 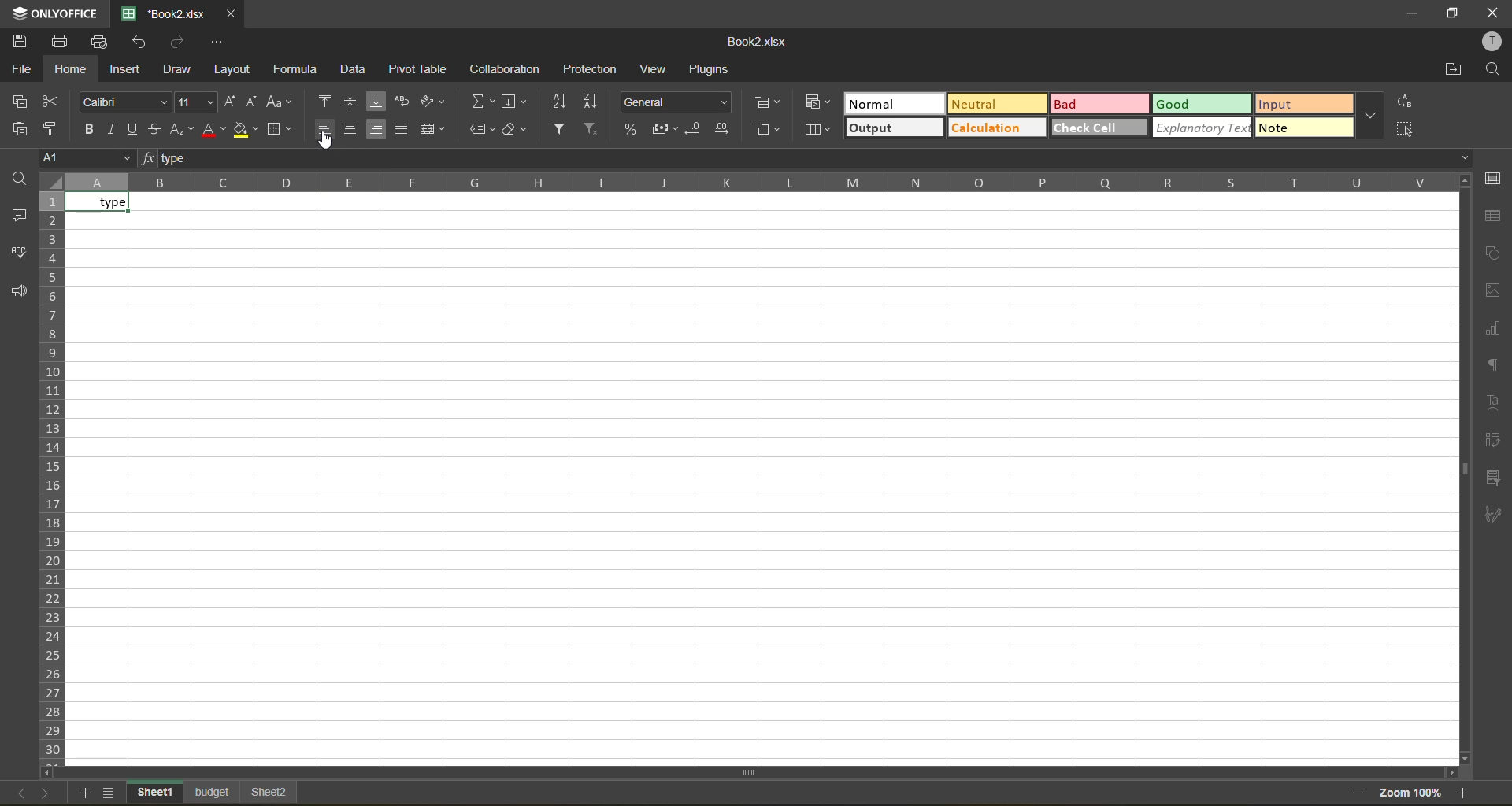 What do you see at coordinates (1455, 13) in the screenshot?
I see `maximize` at bounding box center [1455, 13].